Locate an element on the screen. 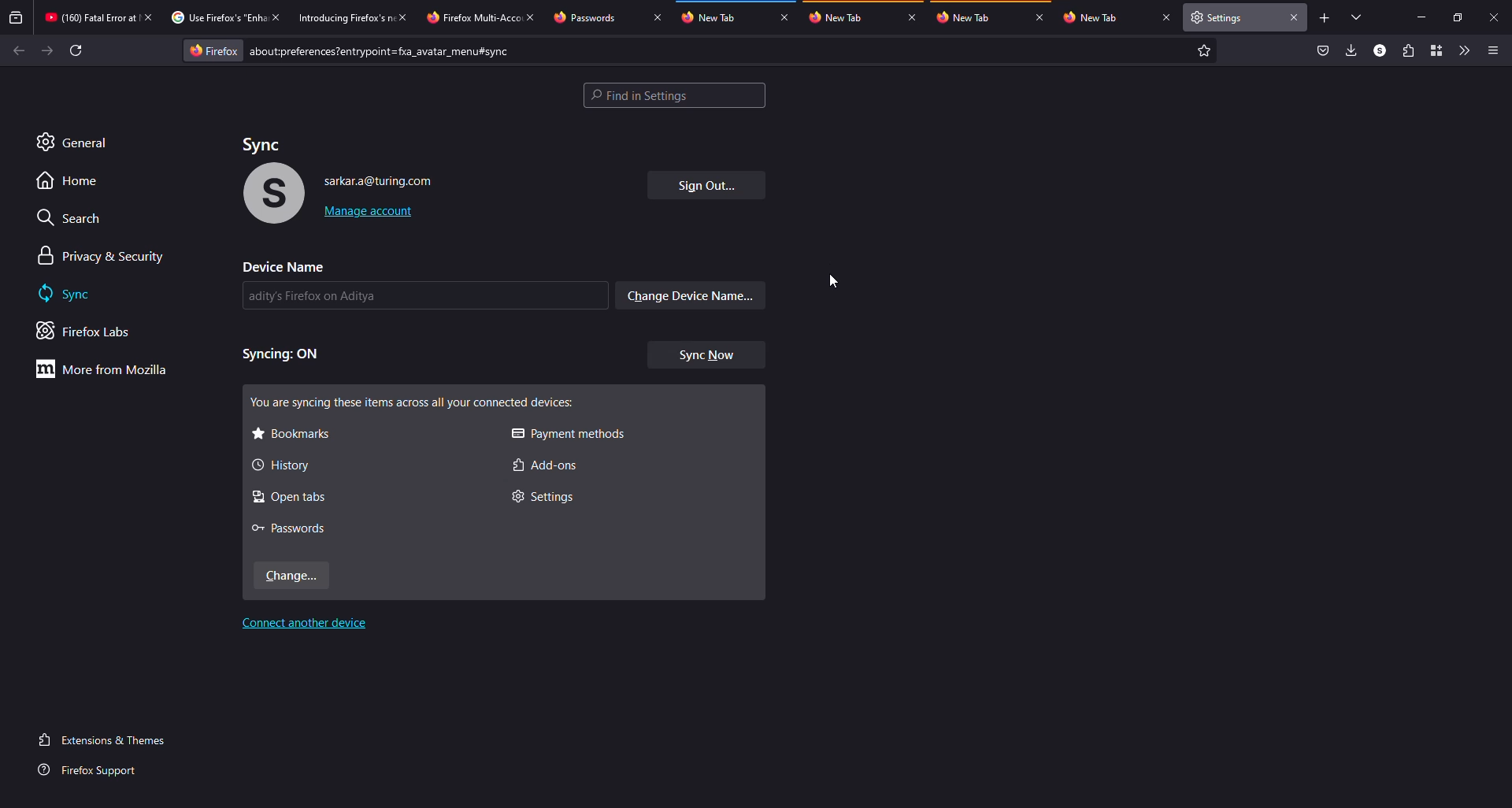  sync now is located at coordinates (711, 354).